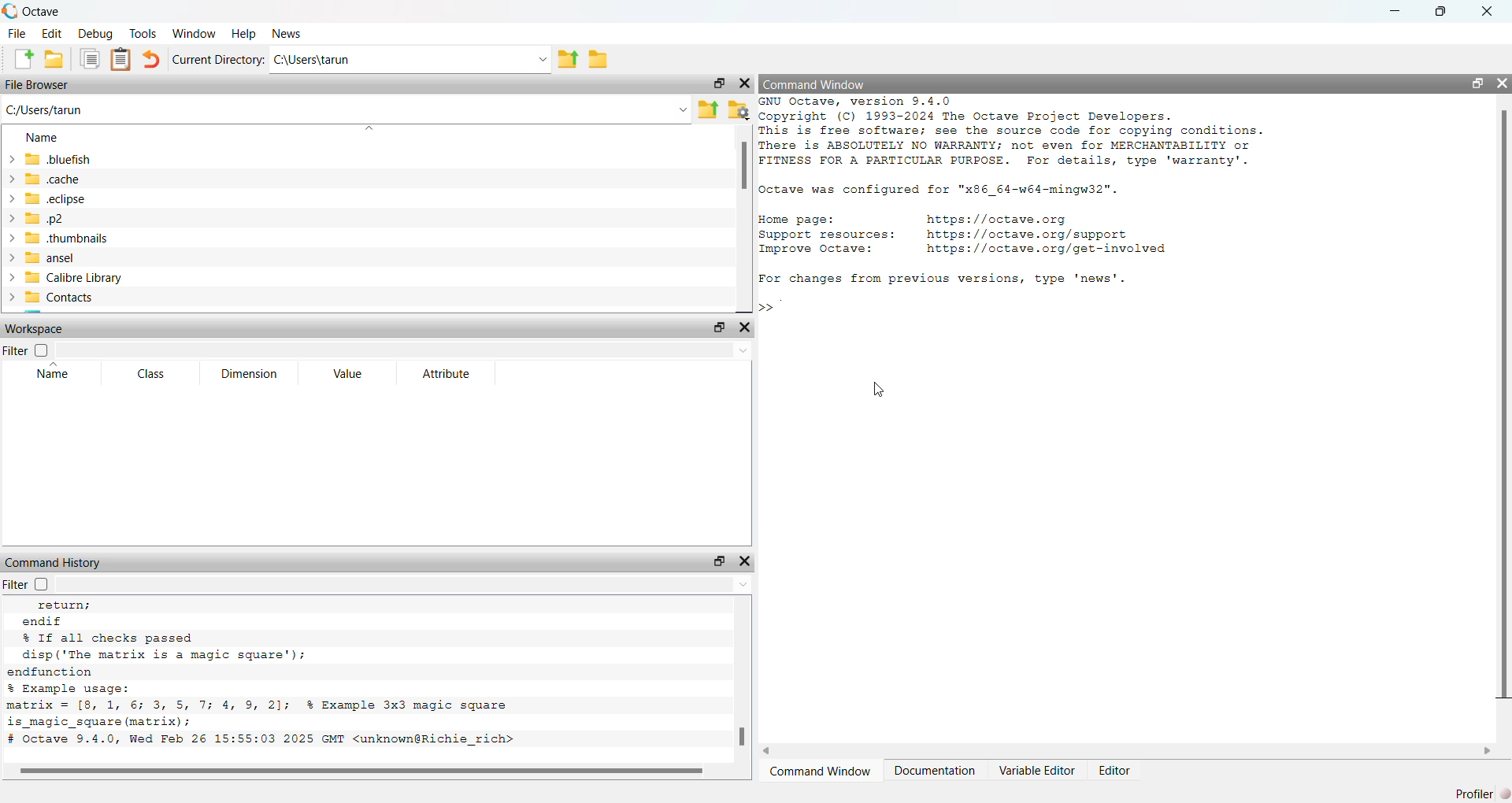  I want to click on maximize, so click(717, 83).